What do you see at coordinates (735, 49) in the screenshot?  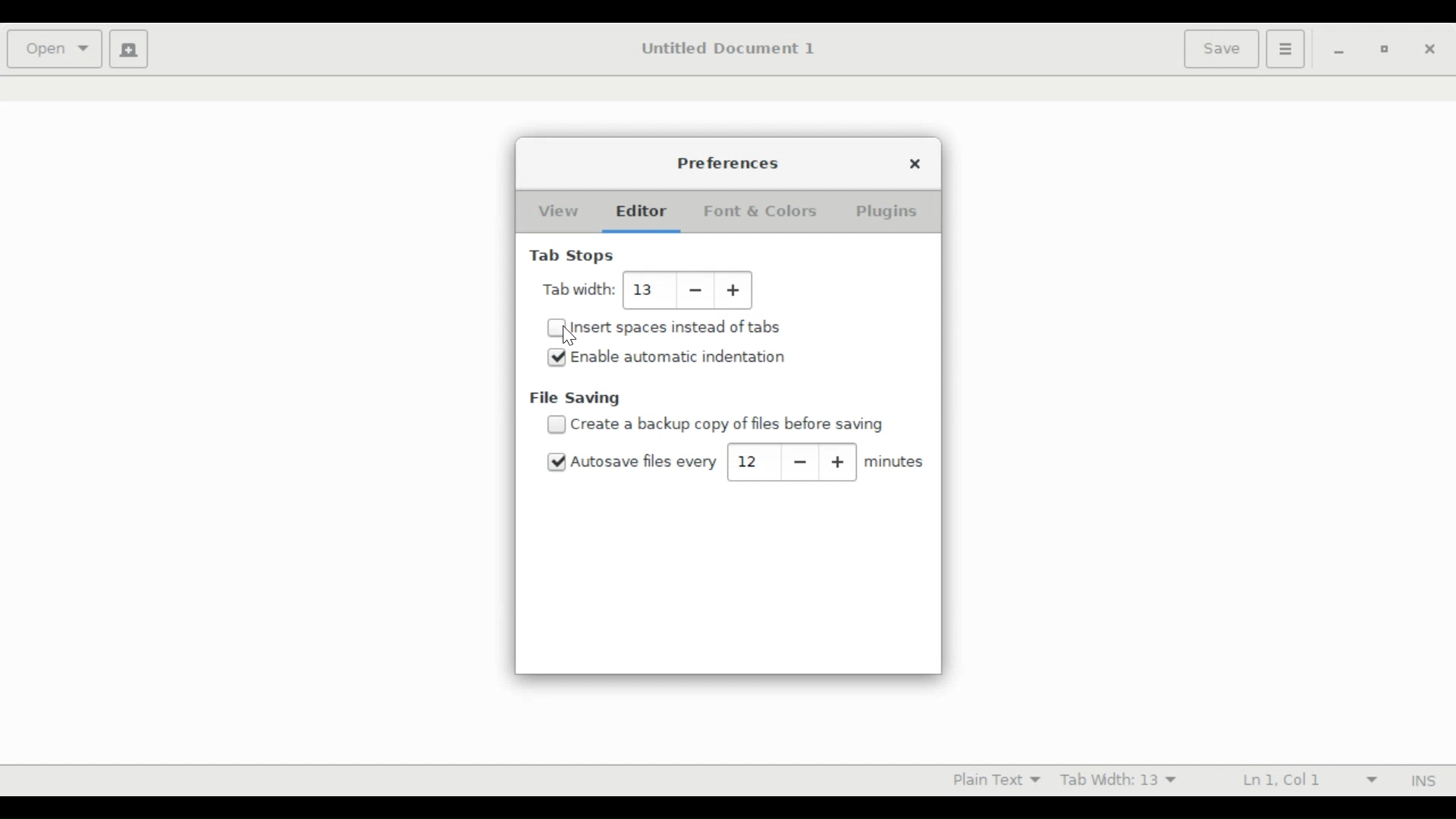 I see `Untitled Document ` at bounding box center [735, 49].